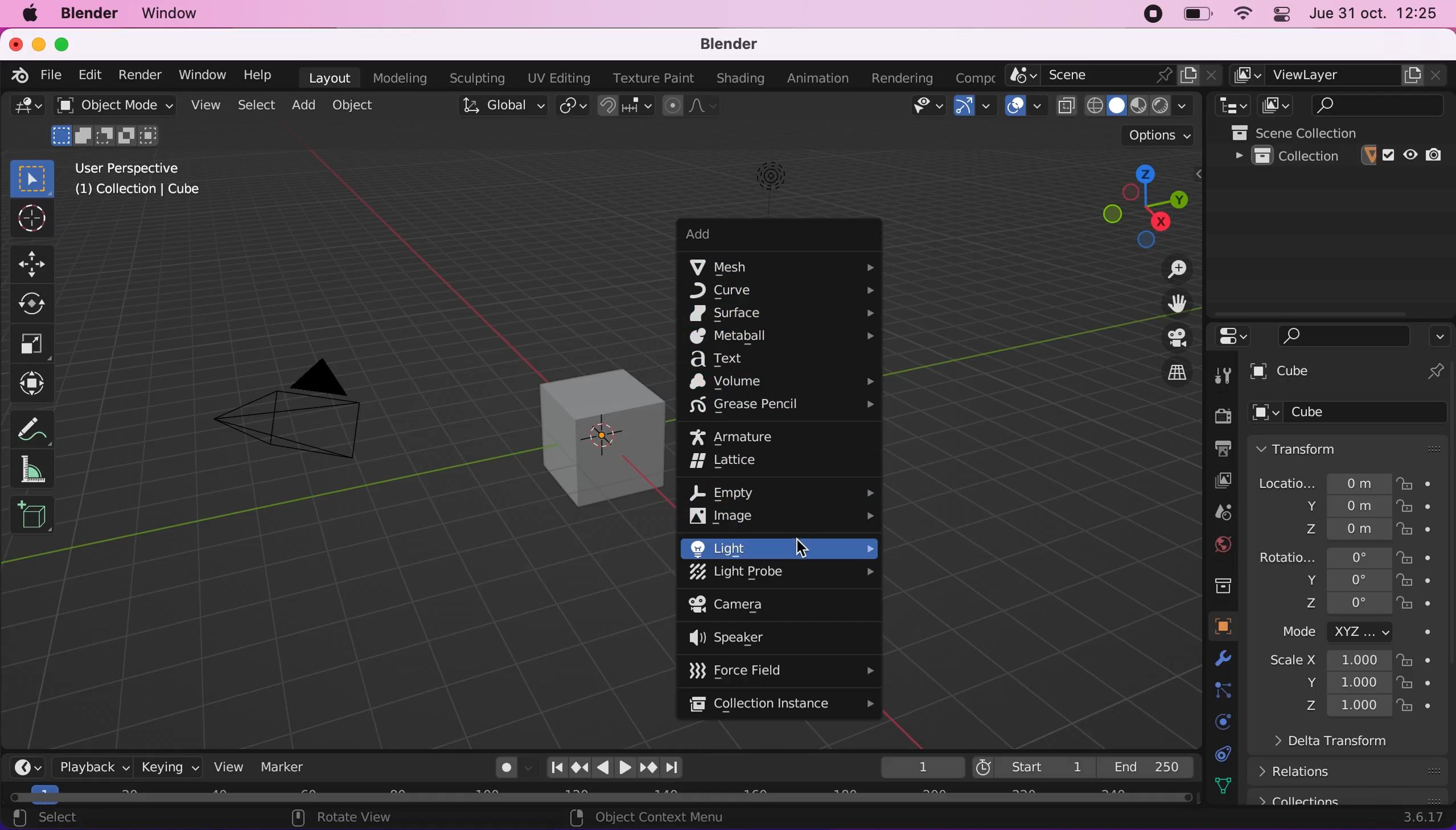  I want to click on toggle the camera view, so click(1166, 337).